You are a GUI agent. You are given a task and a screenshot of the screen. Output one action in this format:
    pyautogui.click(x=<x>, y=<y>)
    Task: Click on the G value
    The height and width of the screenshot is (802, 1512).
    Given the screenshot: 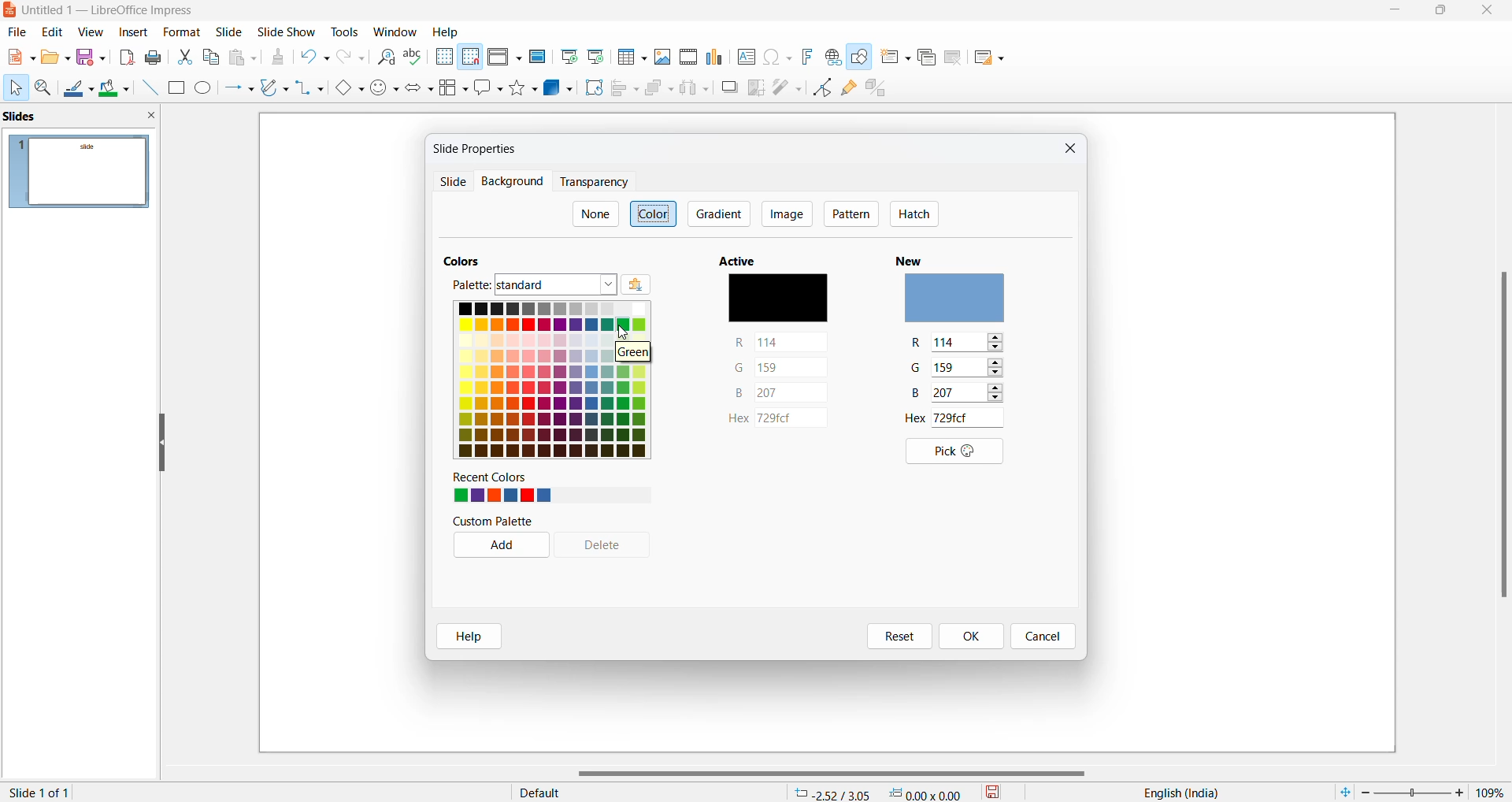 What is the action you would take?
    pyautogui.click(x=919, y=370)
    